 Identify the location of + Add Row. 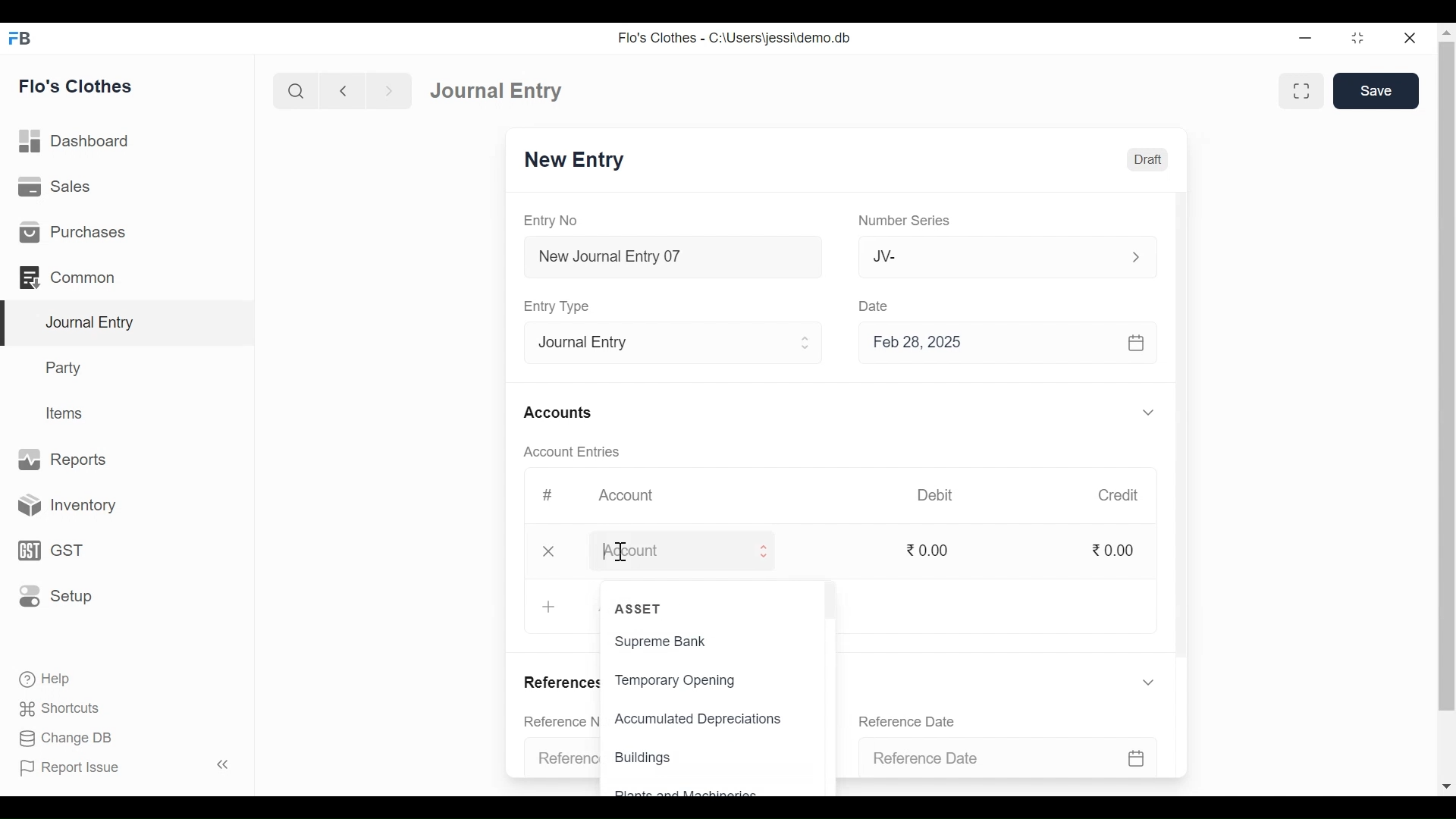
(551, 609).